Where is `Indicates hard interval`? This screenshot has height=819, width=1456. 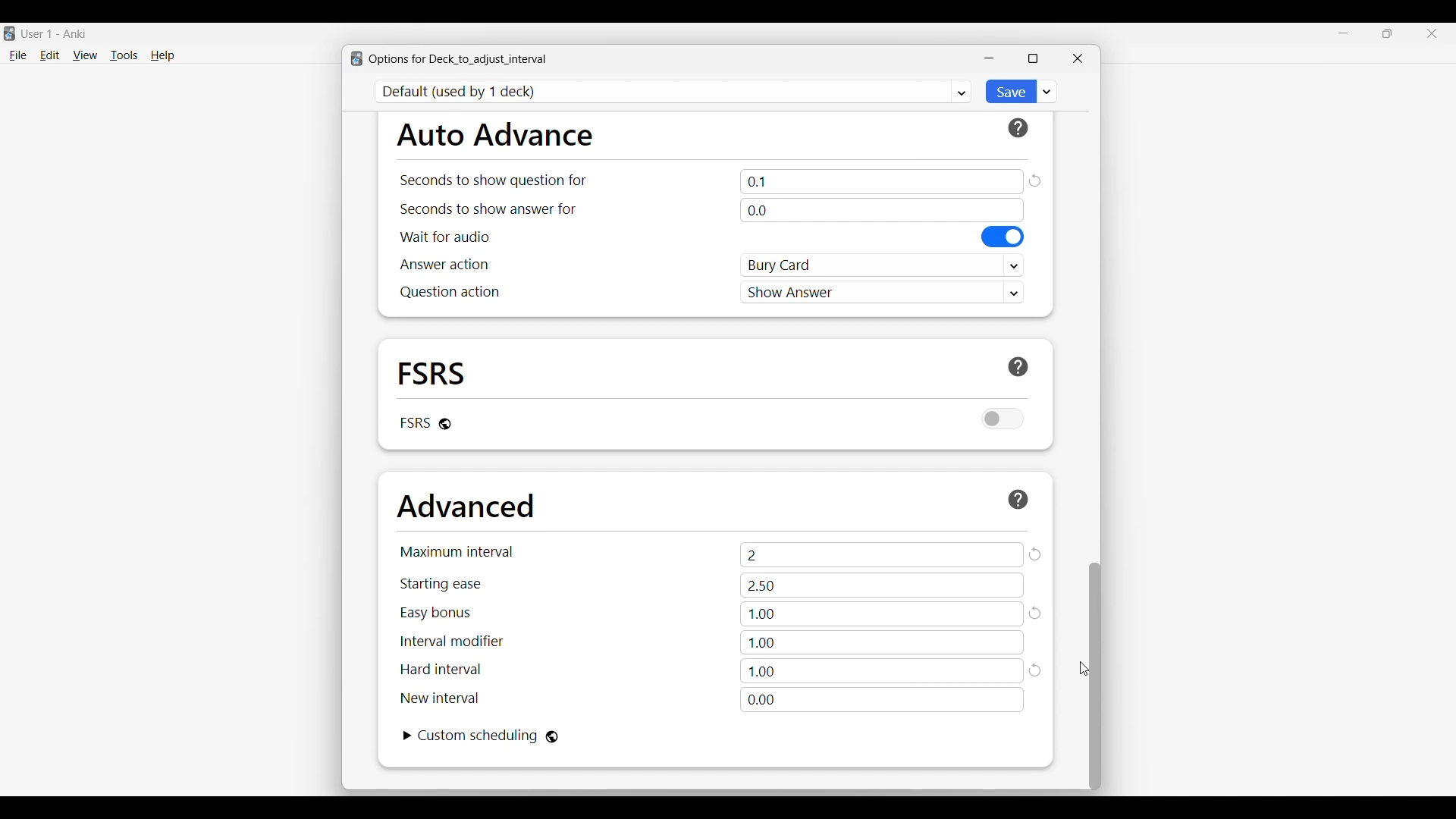 Indicates hard interval is located at coordinates (441, 670).